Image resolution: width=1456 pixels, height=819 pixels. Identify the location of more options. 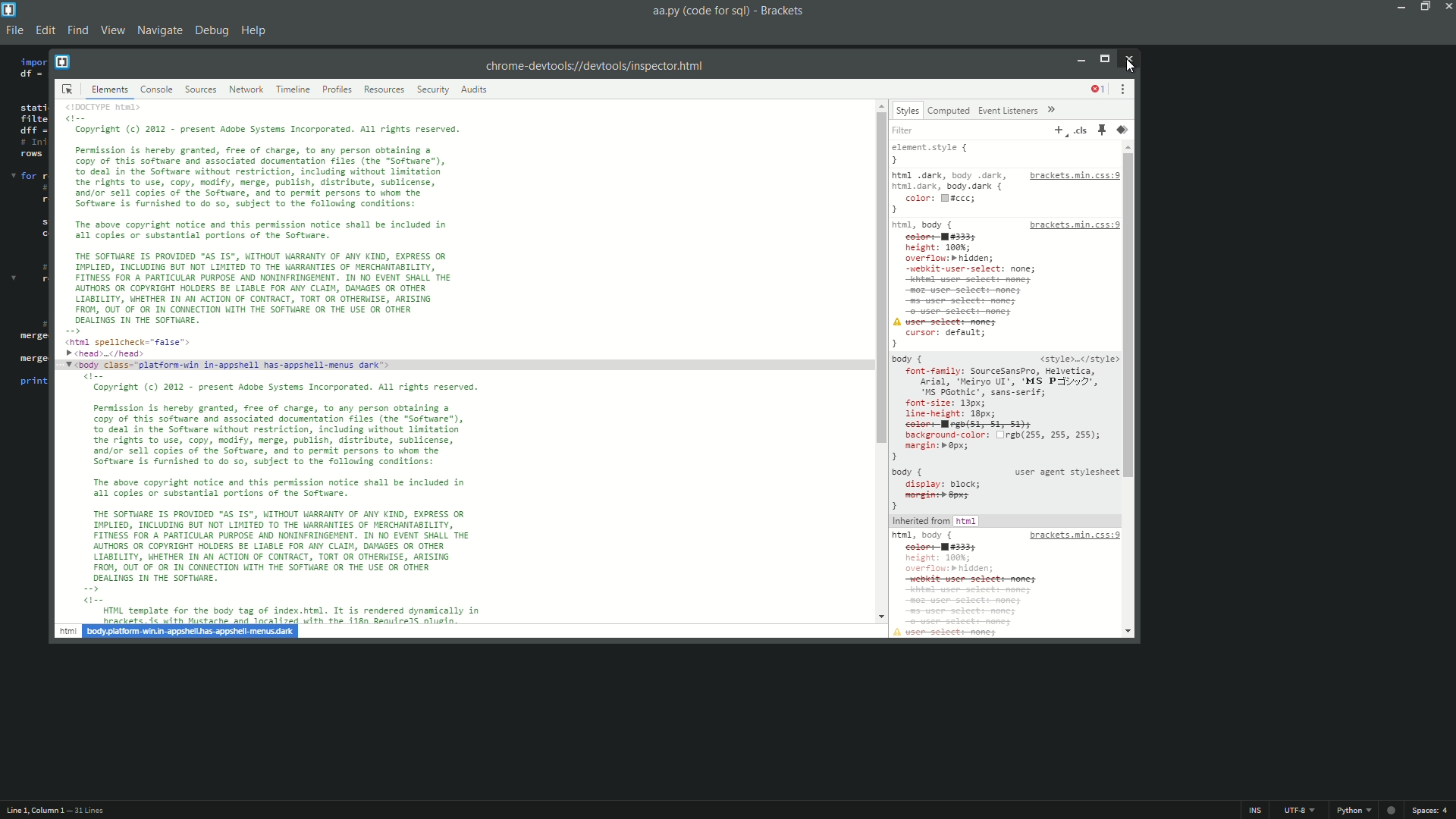
(1123, 88).